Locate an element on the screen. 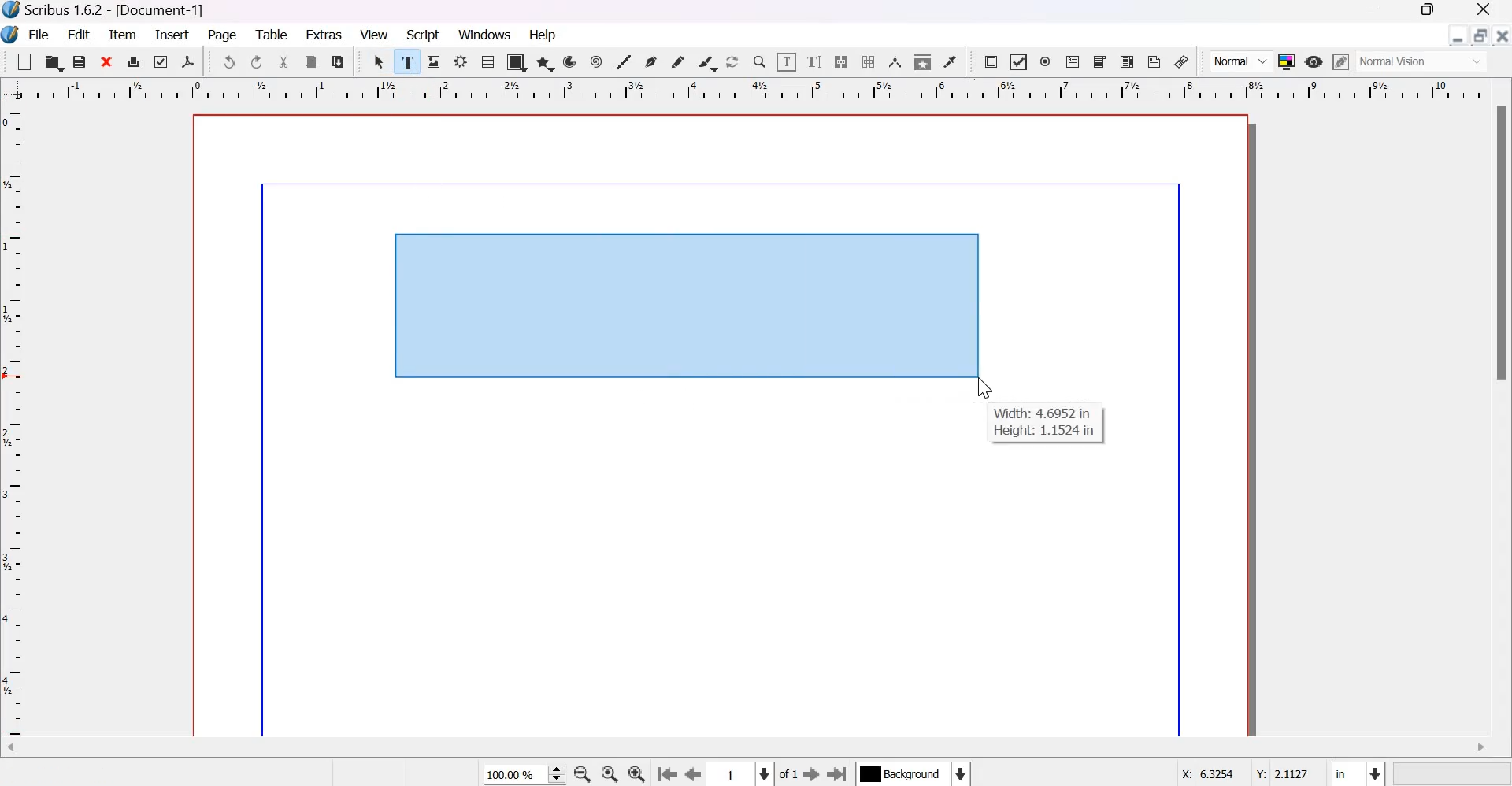 This screenshot has height=786, width=1512. Help is located at coordinates (545, 35).